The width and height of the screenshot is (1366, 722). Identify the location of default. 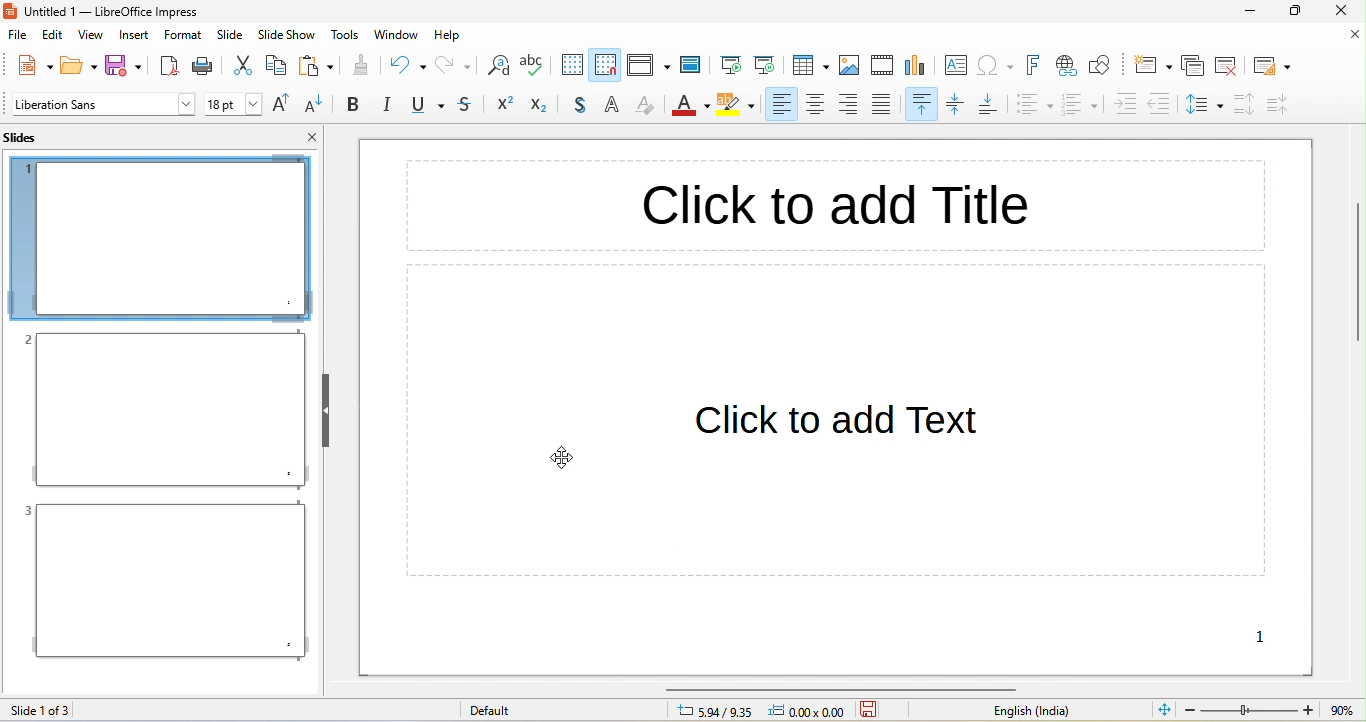
(502, 711).